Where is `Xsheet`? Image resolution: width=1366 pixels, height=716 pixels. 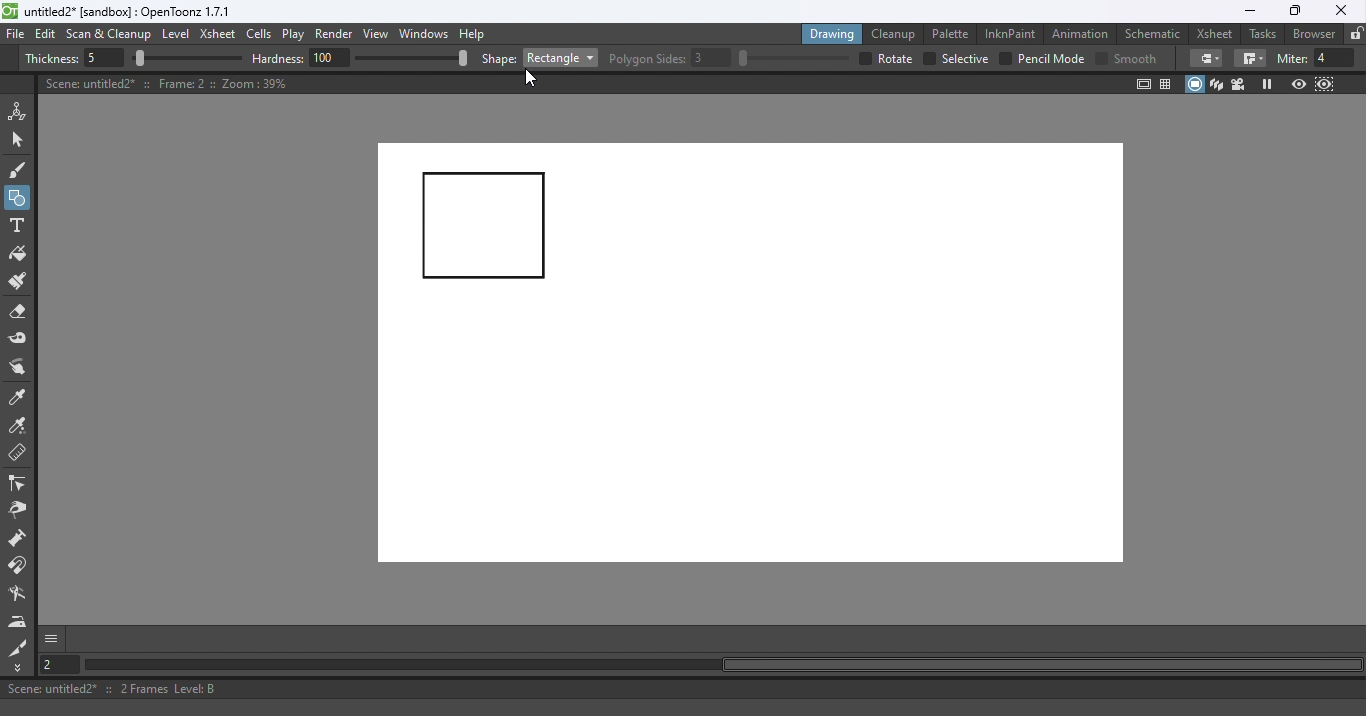 Xsheet is located at coordinates (220, 36).